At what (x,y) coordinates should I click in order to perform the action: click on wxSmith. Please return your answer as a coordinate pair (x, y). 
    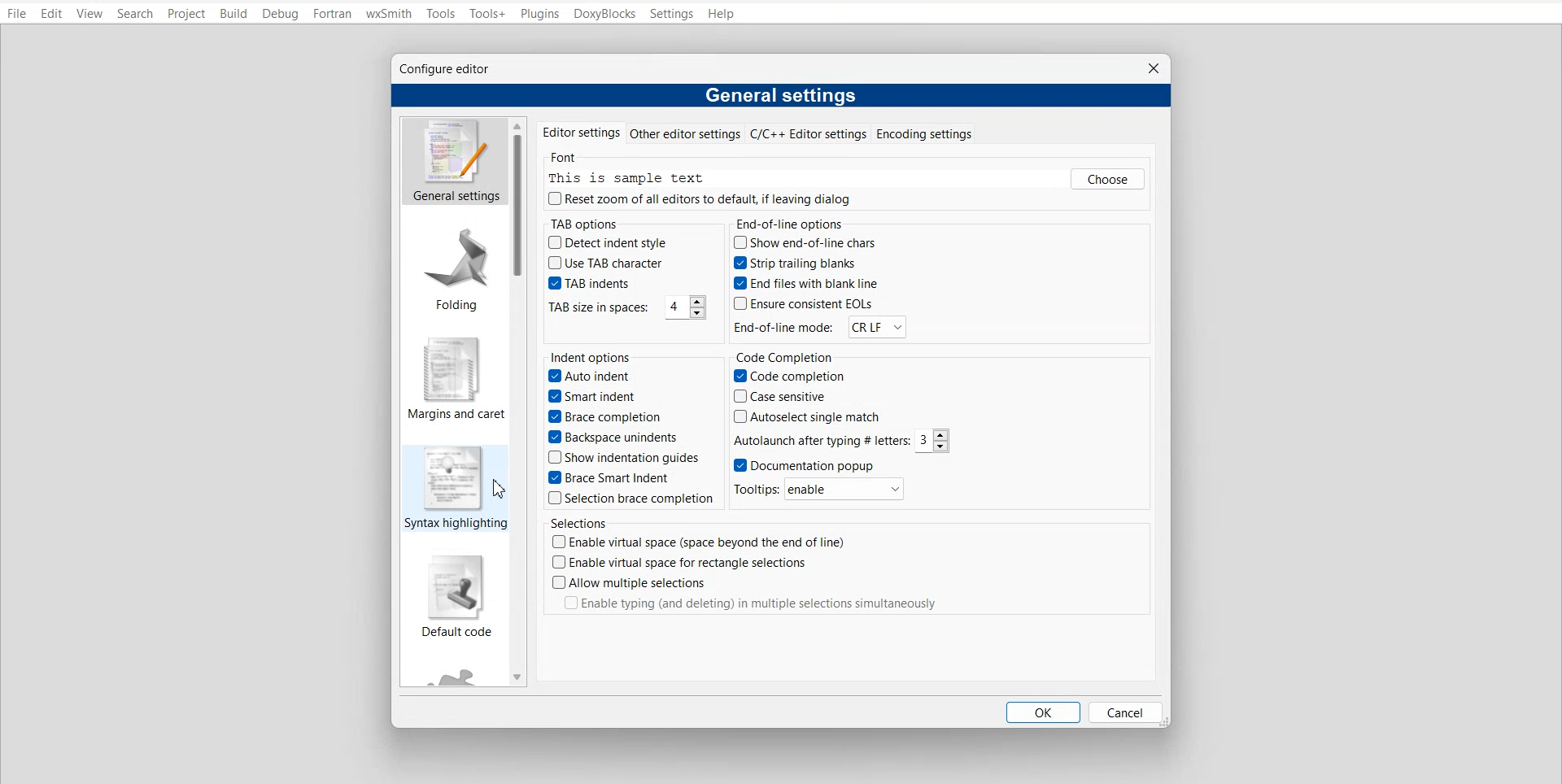
    Looking at the image, I should click on (388, 13).